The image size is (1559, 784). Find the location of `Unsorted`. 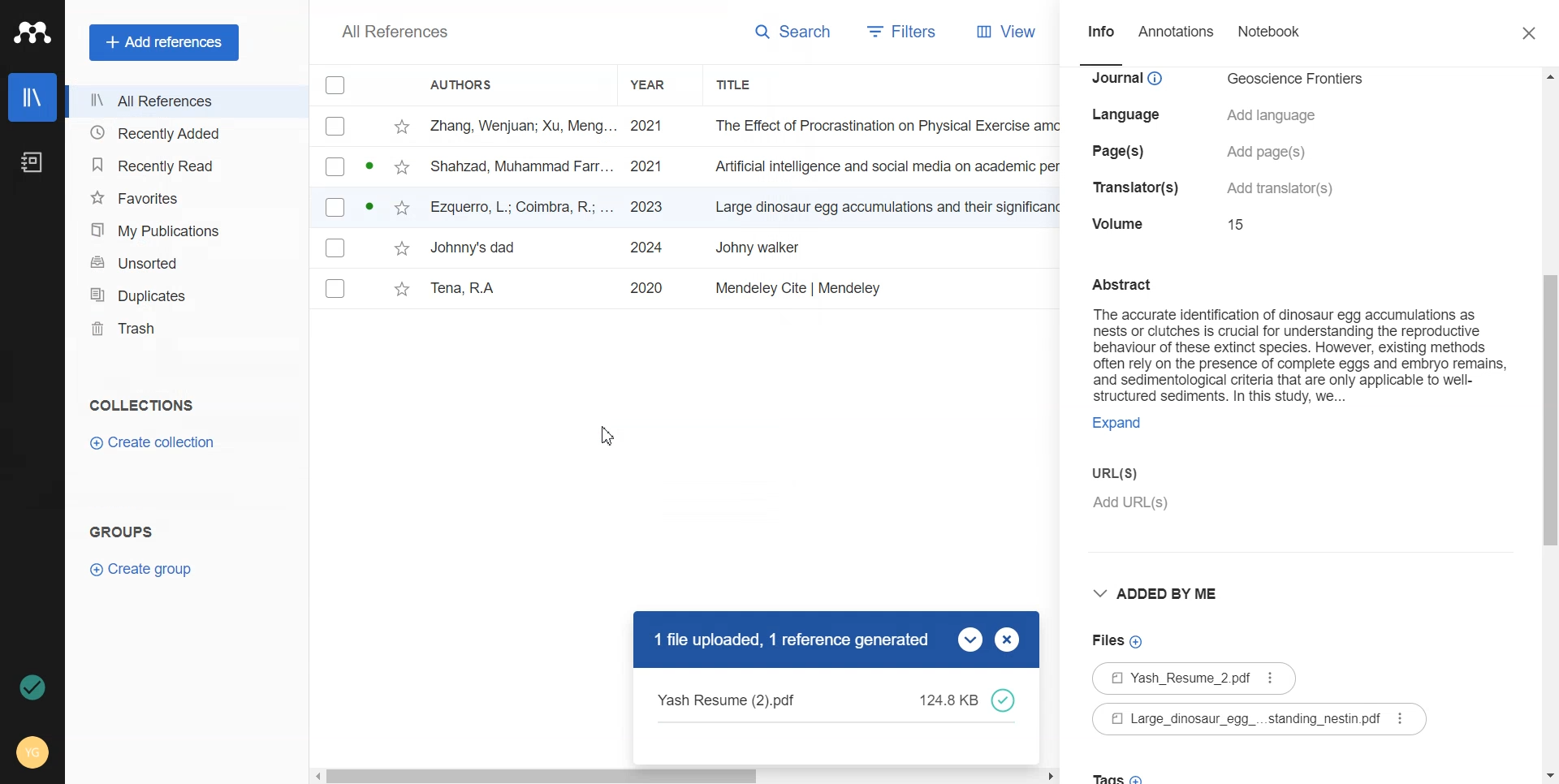

Unsorted is located at coordinates (186, 261).